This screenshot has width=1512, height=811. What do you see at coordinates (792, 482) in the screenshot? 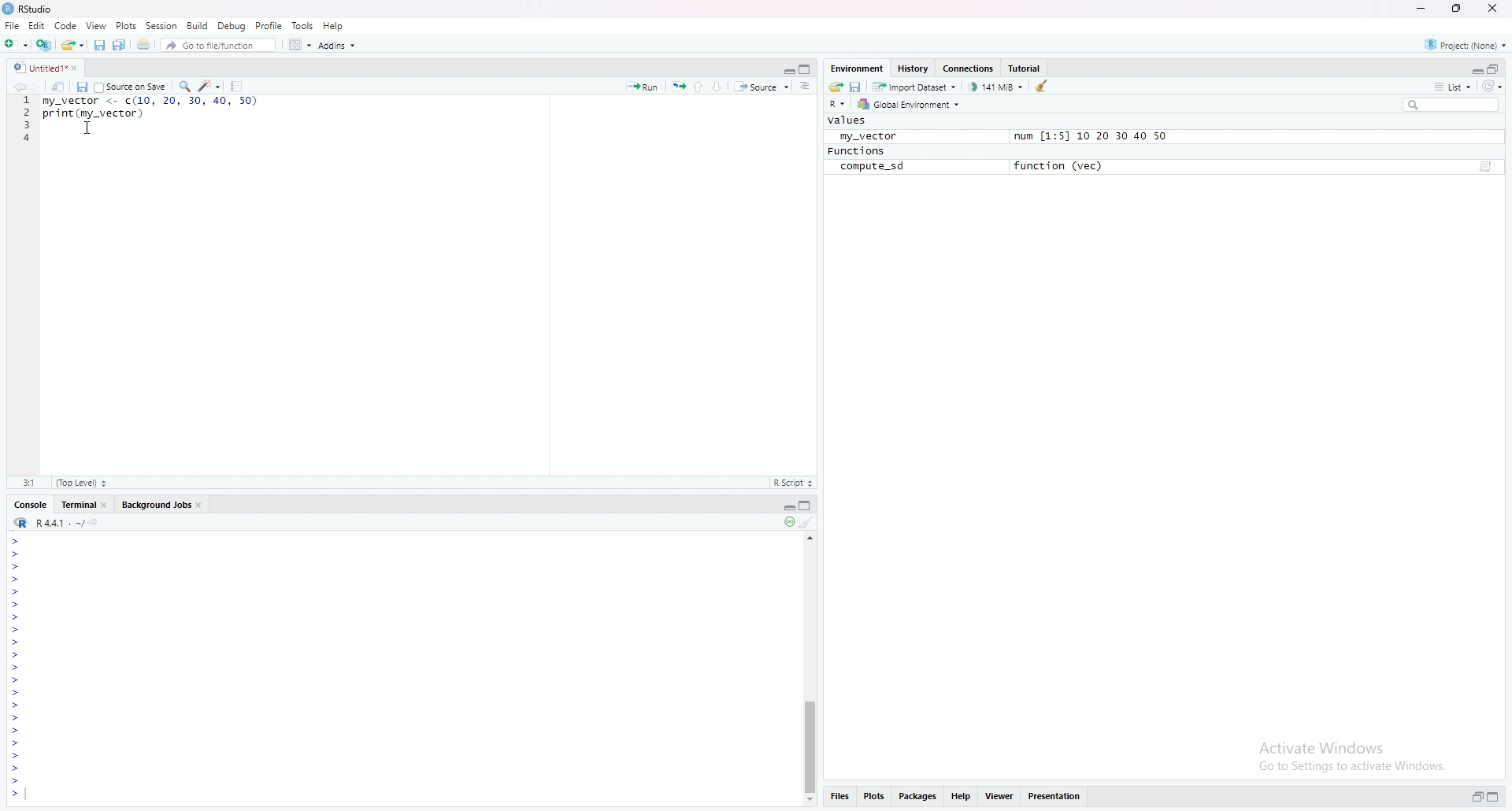
I see `R Script` at bounding box center [792, 482].